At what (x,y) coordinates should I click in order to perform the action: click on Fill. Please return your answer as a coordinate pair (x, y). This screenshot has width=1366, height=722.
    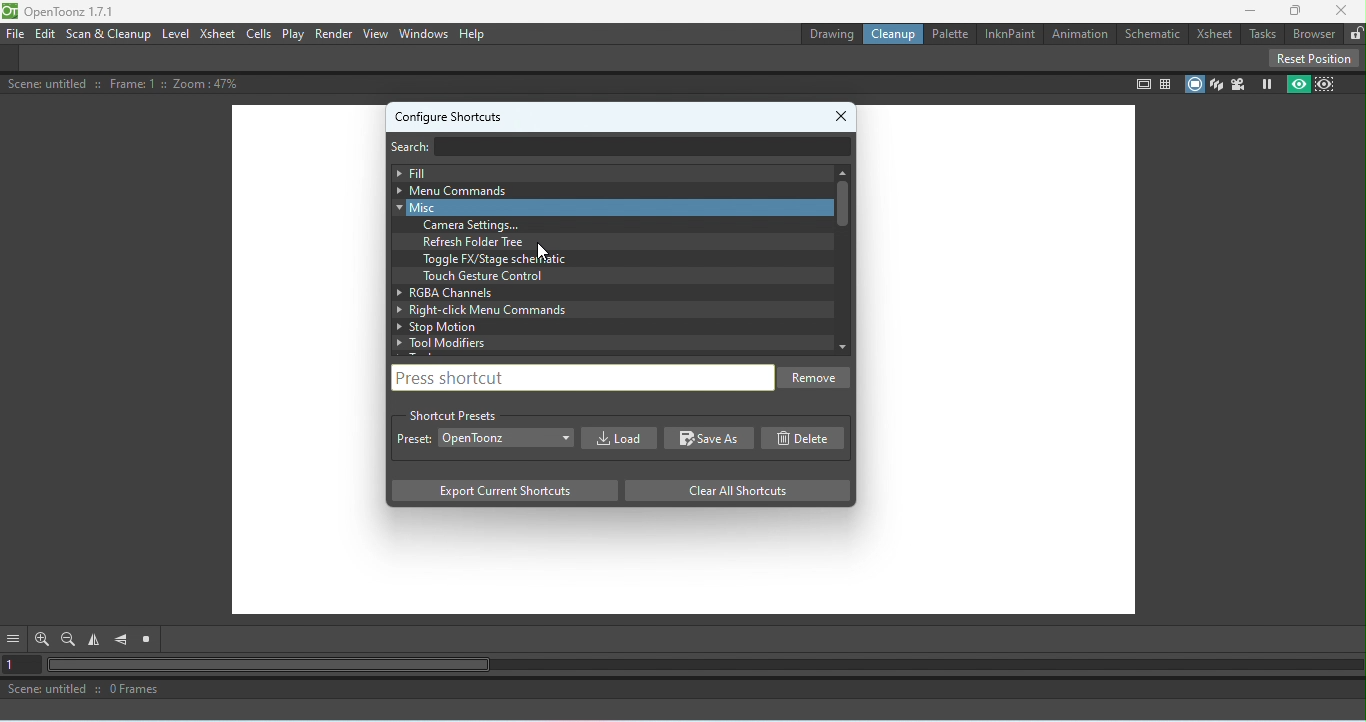
    Looking at the image, I should click on (606, 172).